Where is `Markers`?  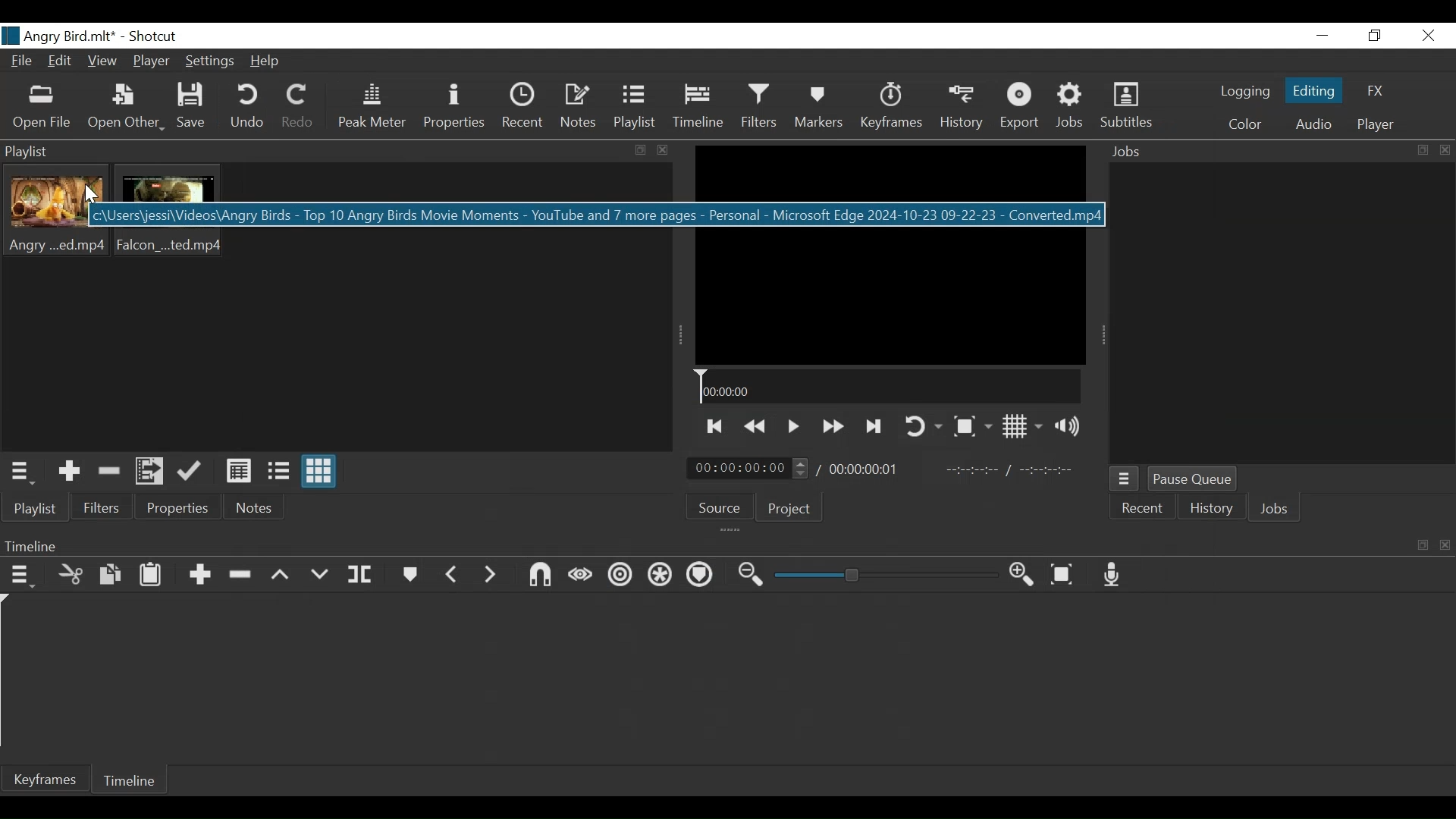
Markers is located at coordinates (411, 576).